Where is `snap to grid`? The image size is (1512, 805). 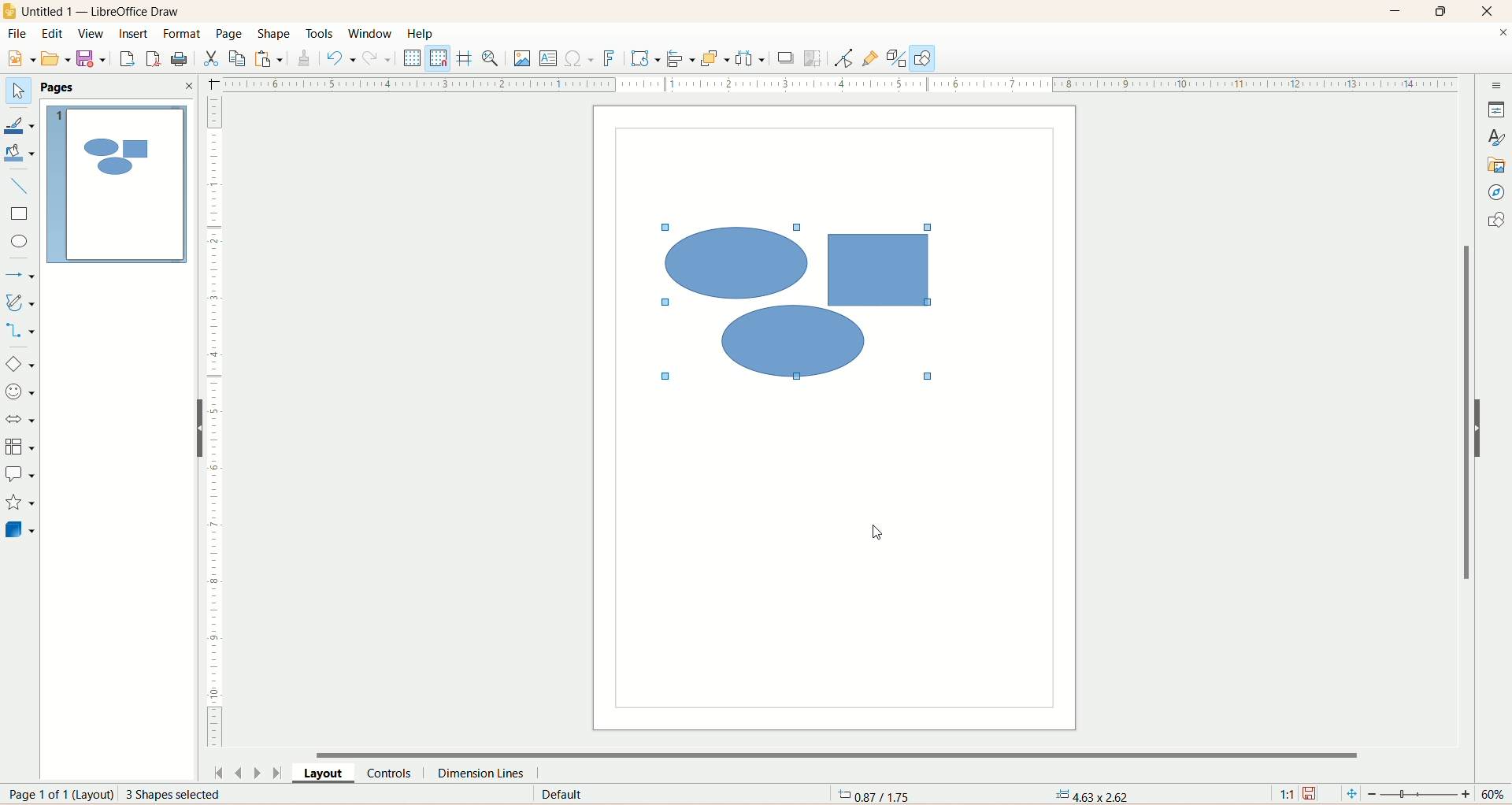
snap to grid is located at coordinates (440, 59).